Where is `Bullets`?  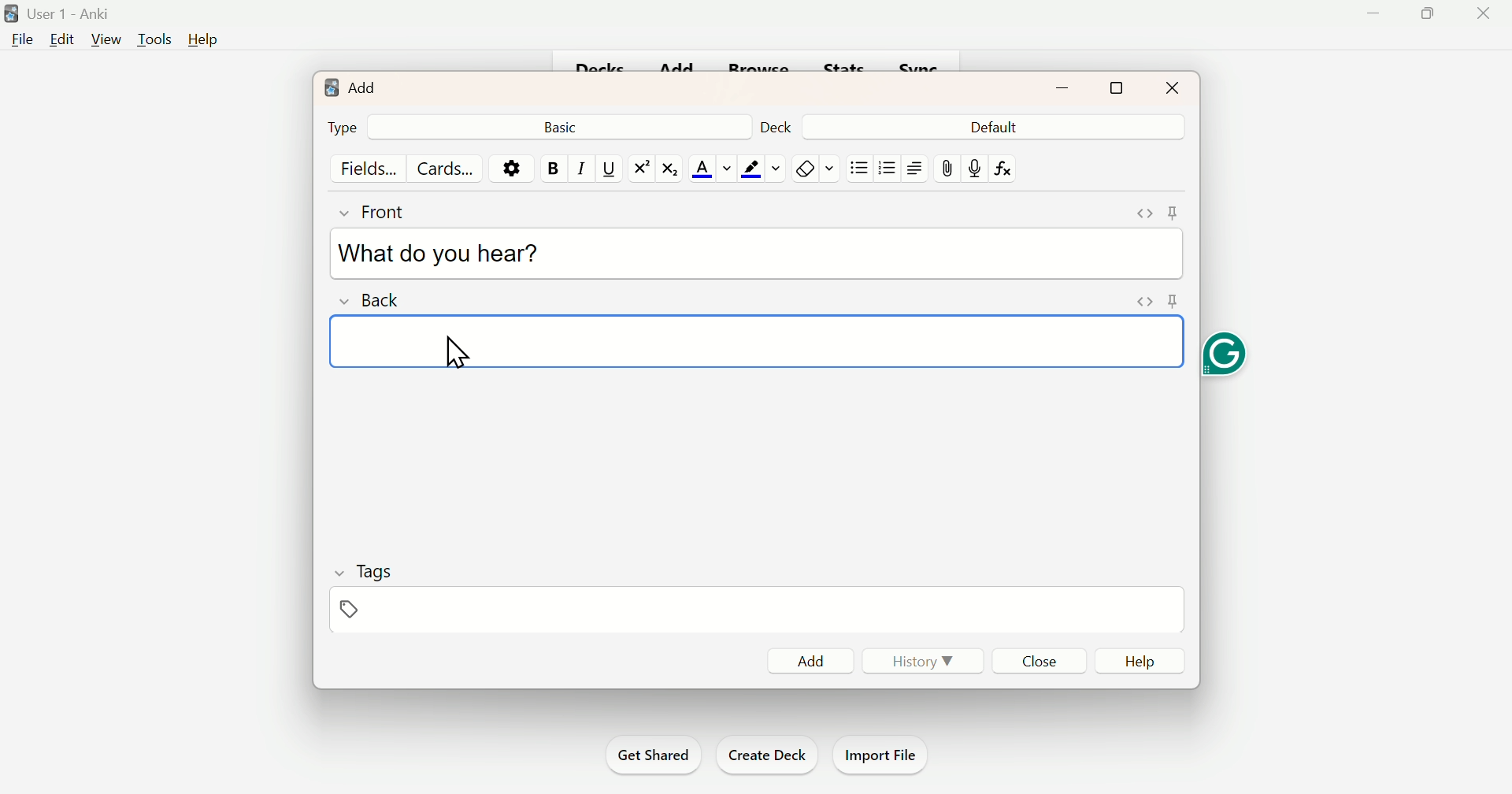 Bullets is located at coordinates (861, 167).